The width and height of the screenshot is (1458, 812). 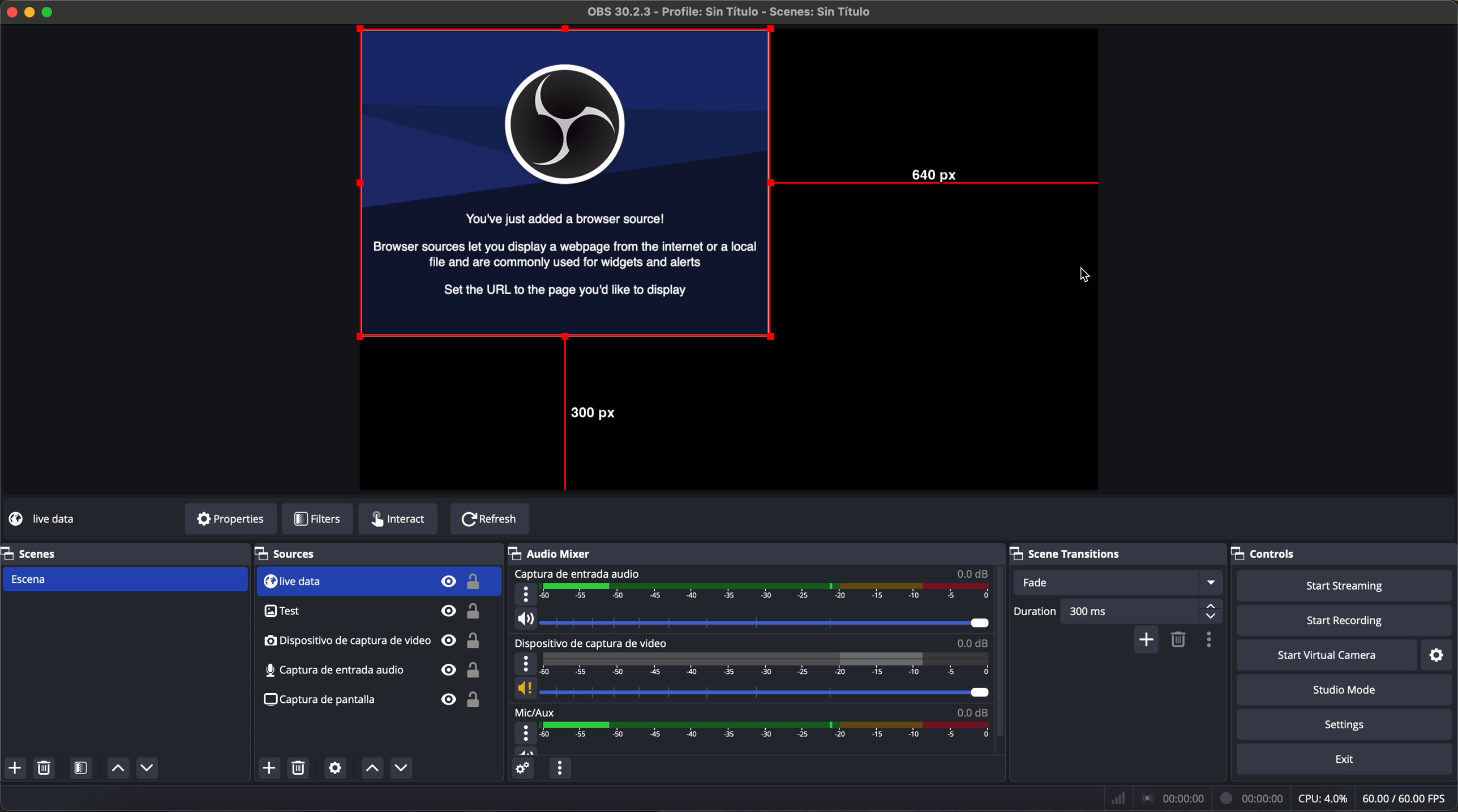 What do you see at coordinates (52, 522) in the screenshot?
I see `live data` at bounding box center [52, 522].